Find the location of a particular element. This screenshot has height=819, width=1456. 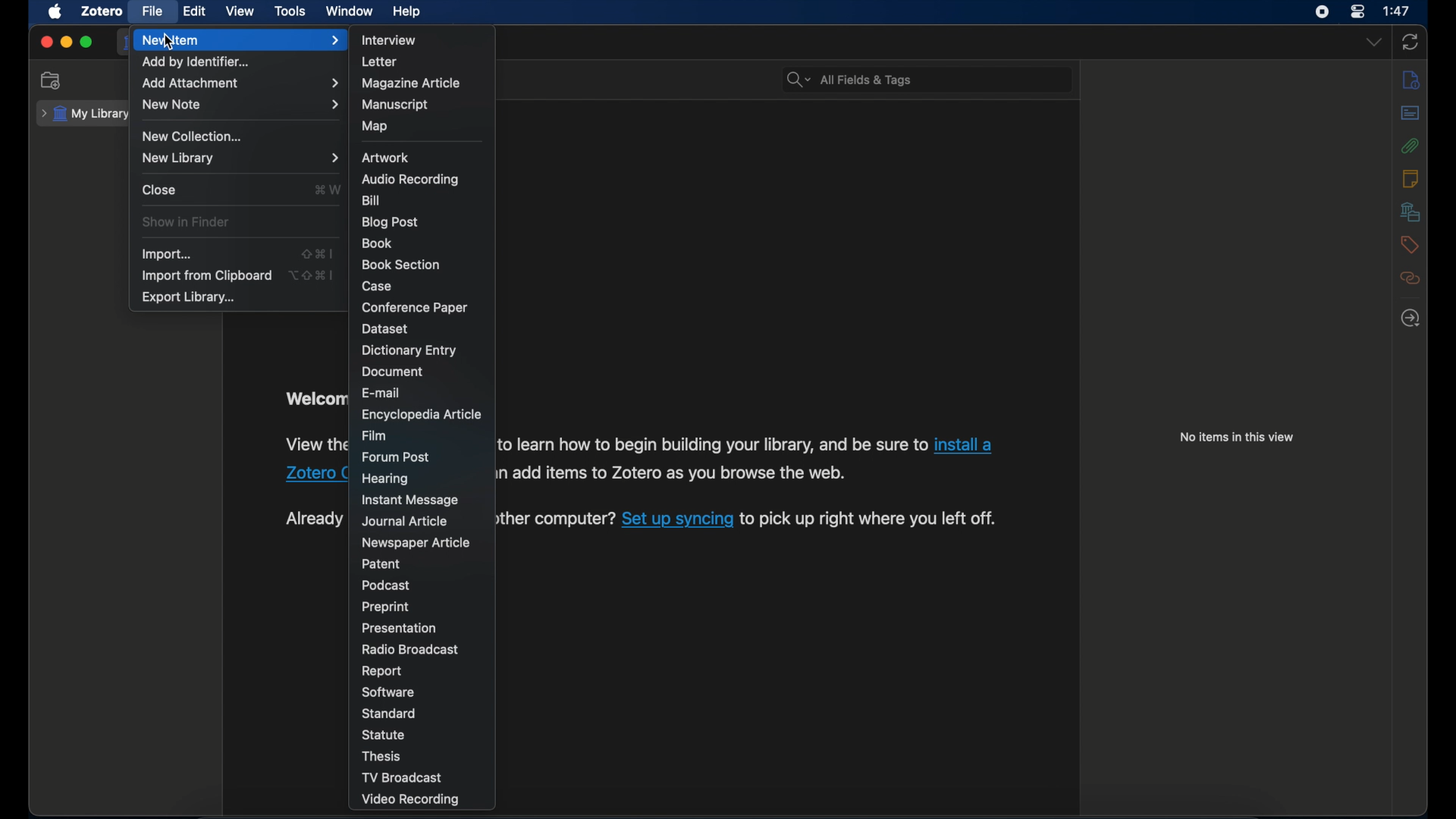

standard is located at coordinates (388, 714).